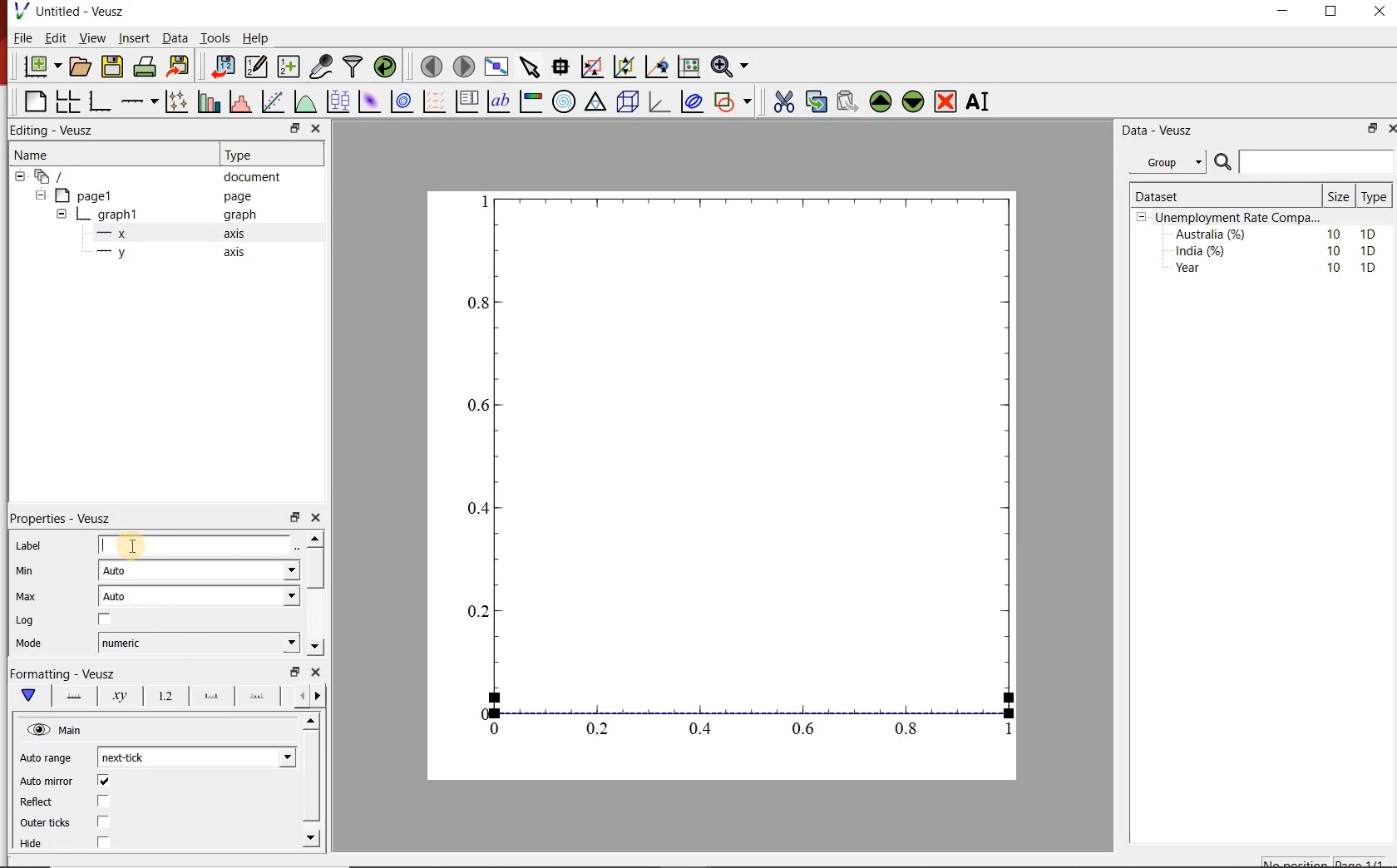 This screenshot has width=1397, height=868. What do you see at coordinates (1239, 218) in the screenshot?
I see `Unemployment Rate Compa...` at bounding box center [1239, 218].